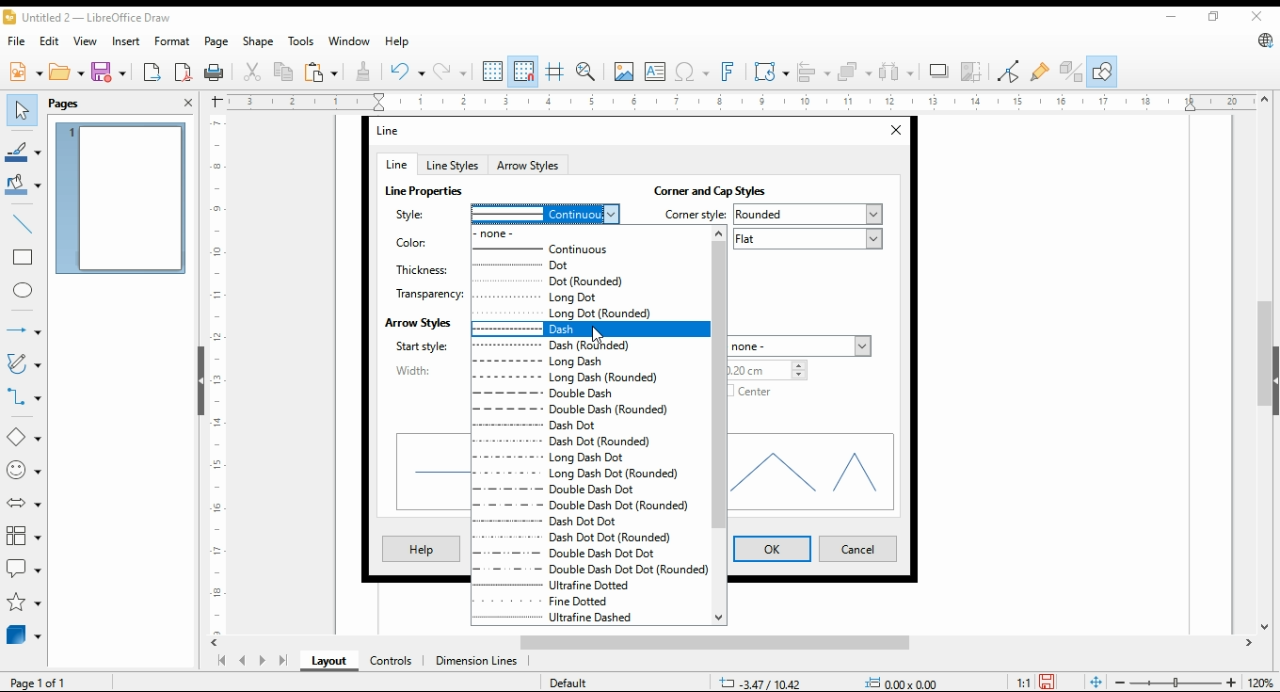 The width and height of the screenshot is (1280, 692). What do you see at coordinates (26, 503) in the screenshot?
I see `block arrows` at bounding box center [26, 503].